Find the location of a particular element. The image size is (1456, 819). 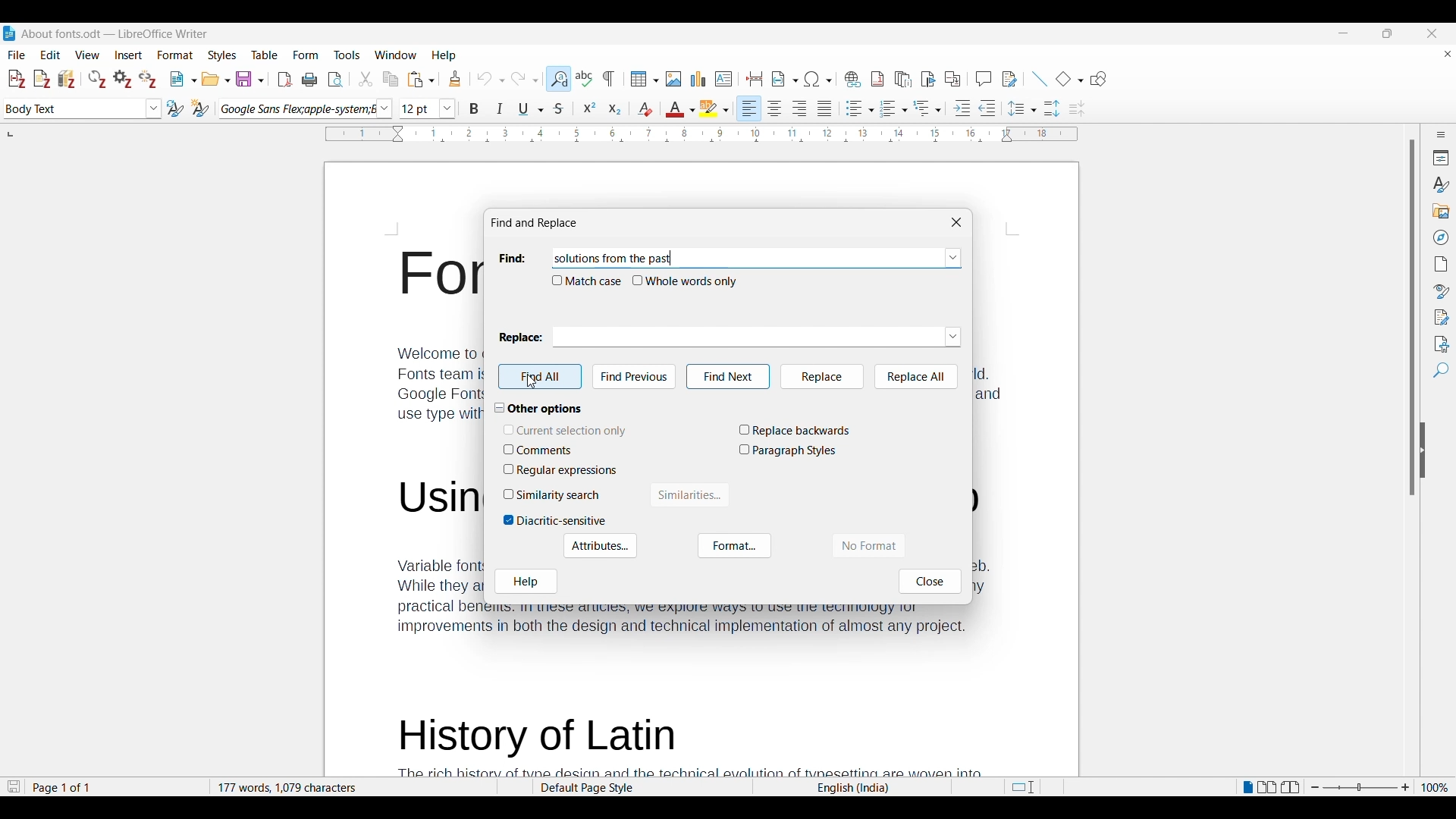

Styles menu is located at coordinates (223, 55).